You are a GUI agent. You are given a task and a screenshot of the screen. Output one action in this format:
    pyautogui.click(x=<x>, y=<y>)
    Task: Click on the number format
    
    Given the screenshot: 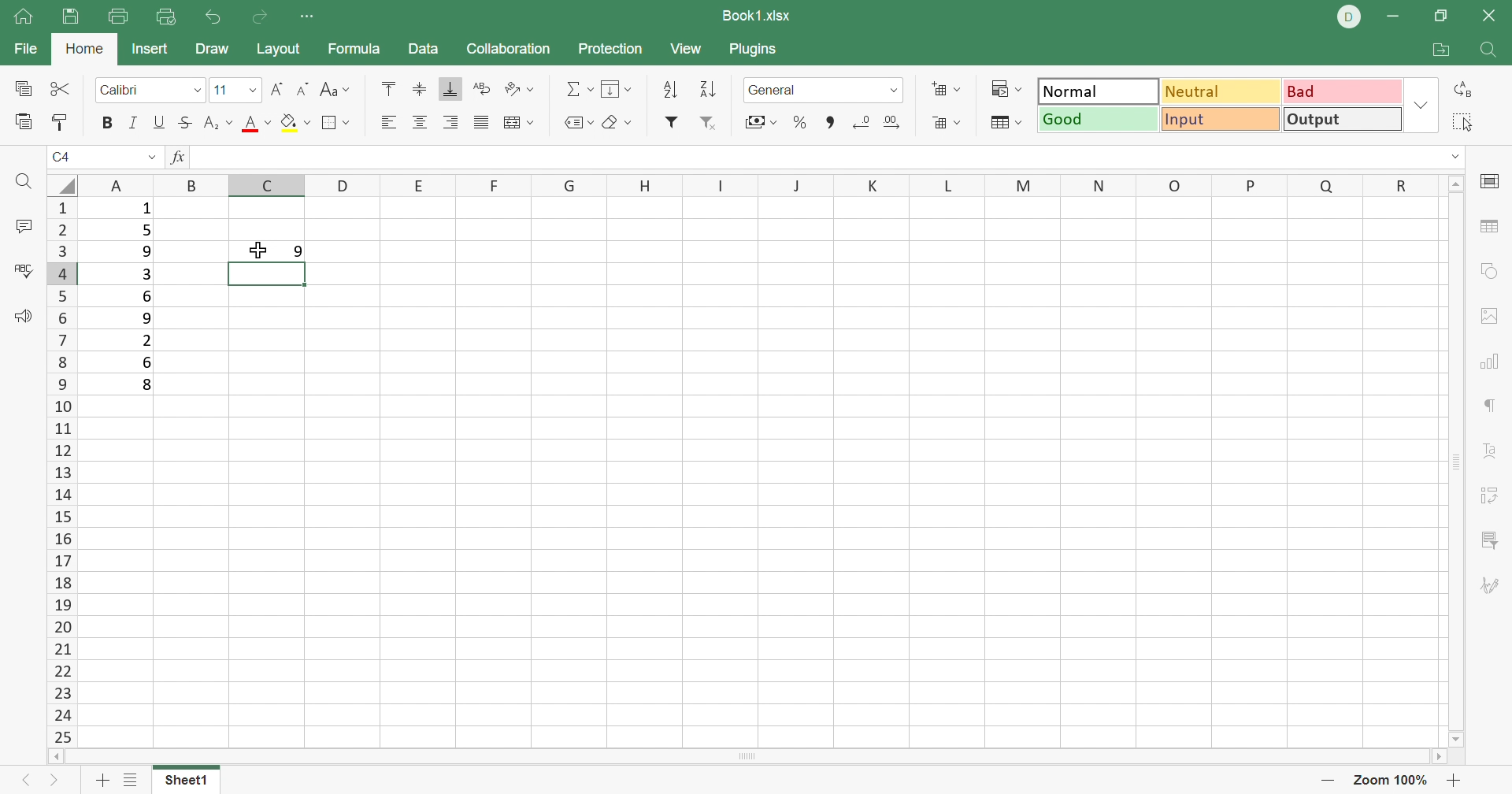 What is the action you would take?
    pyautogui.click(x=776, y=91)
    